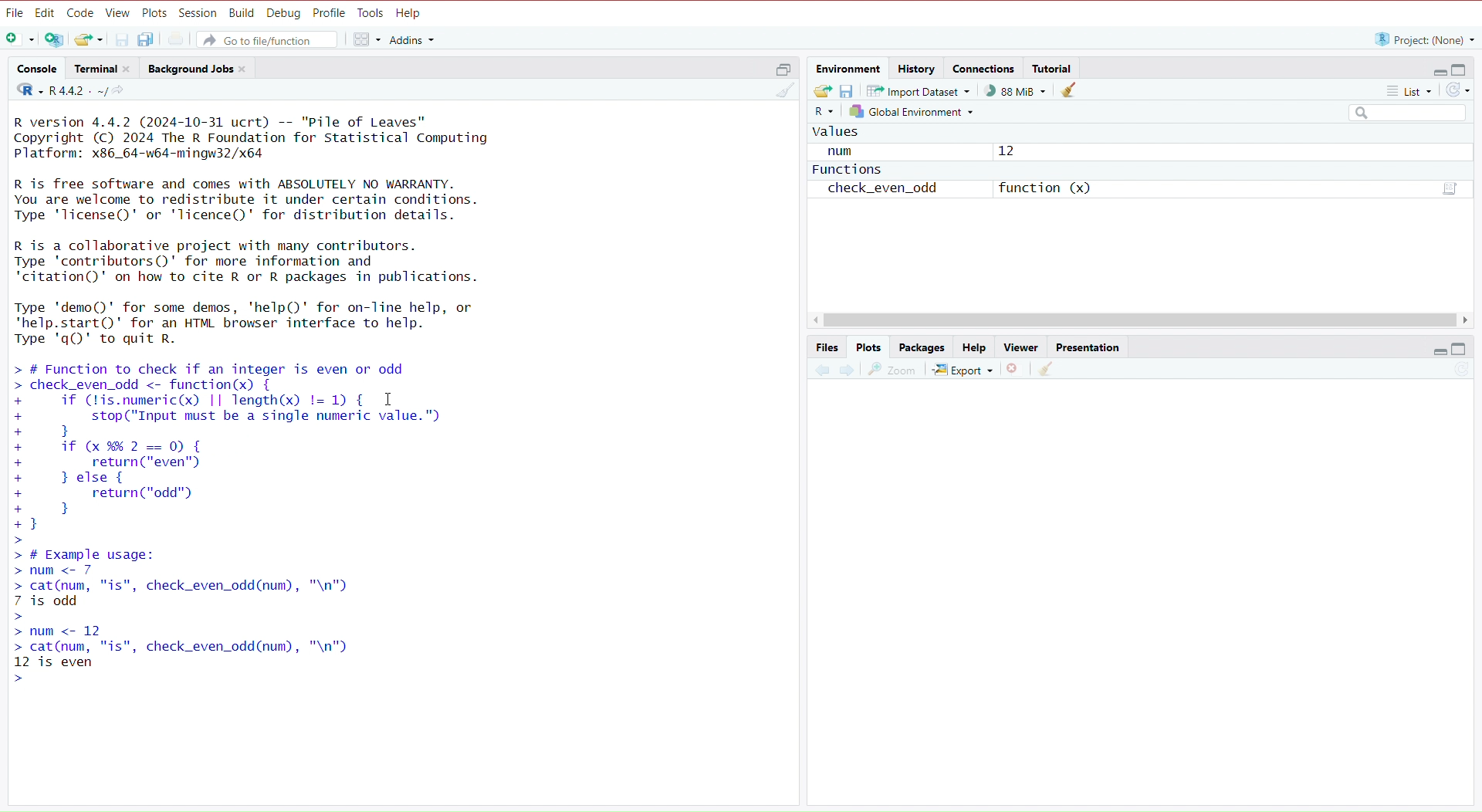 This screenshot has height=812, width=1482. What do you see at coordinates (893, 371) in the screenshot?
I see `zoom` at bounding box center [893, 371].